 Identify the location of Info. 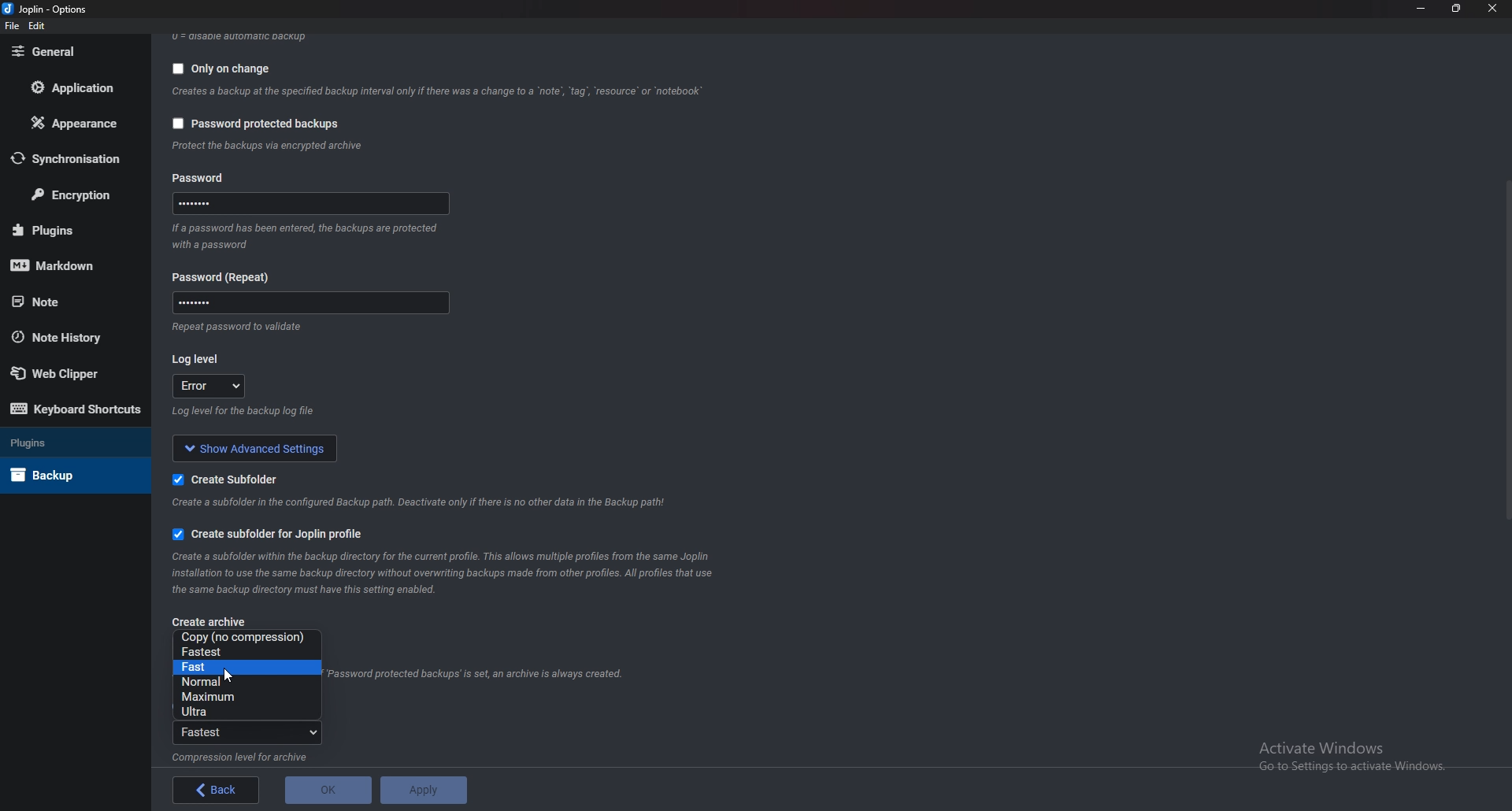
(246, 757).